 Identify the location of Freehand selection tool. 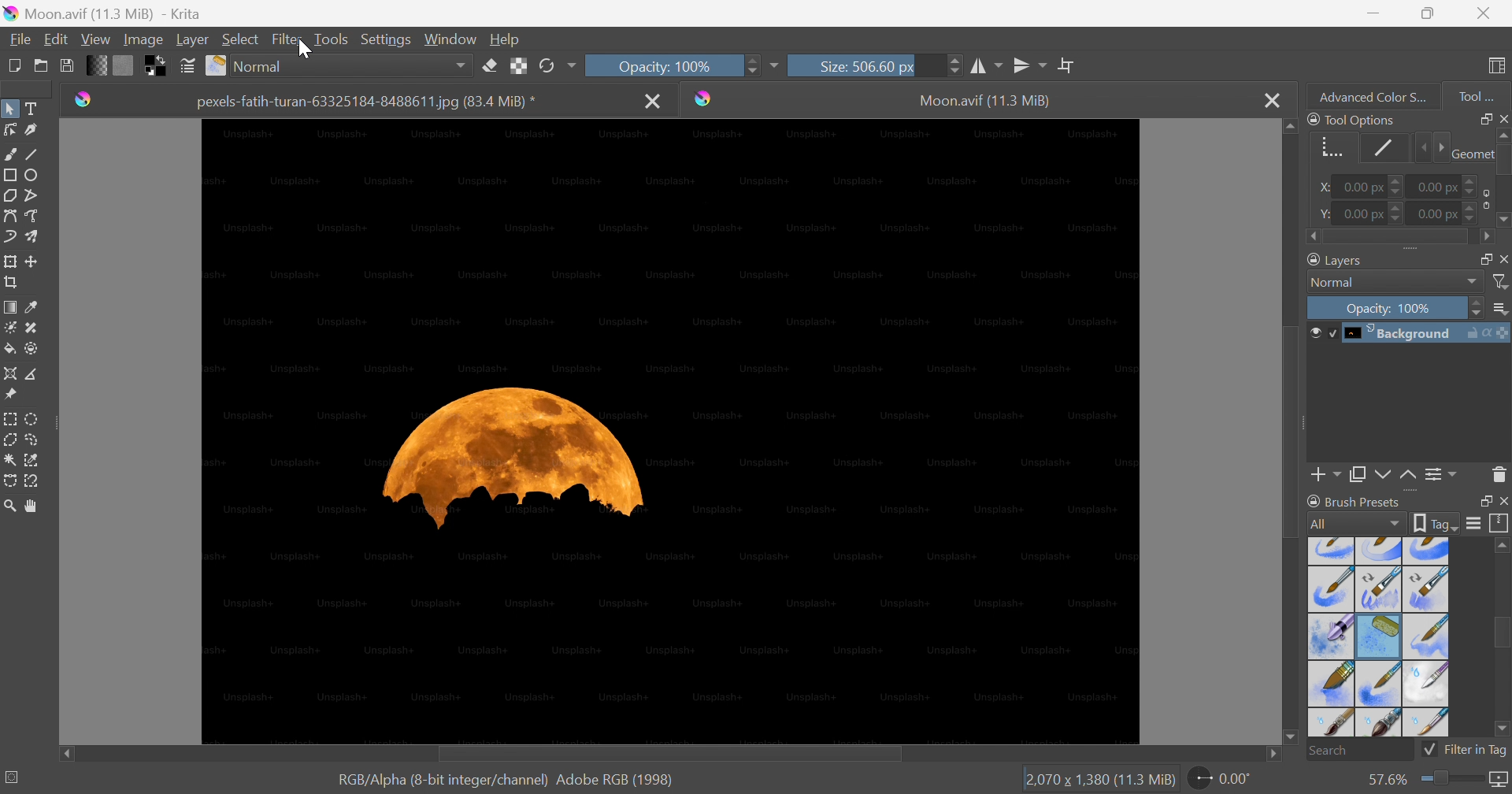
(35, 439).